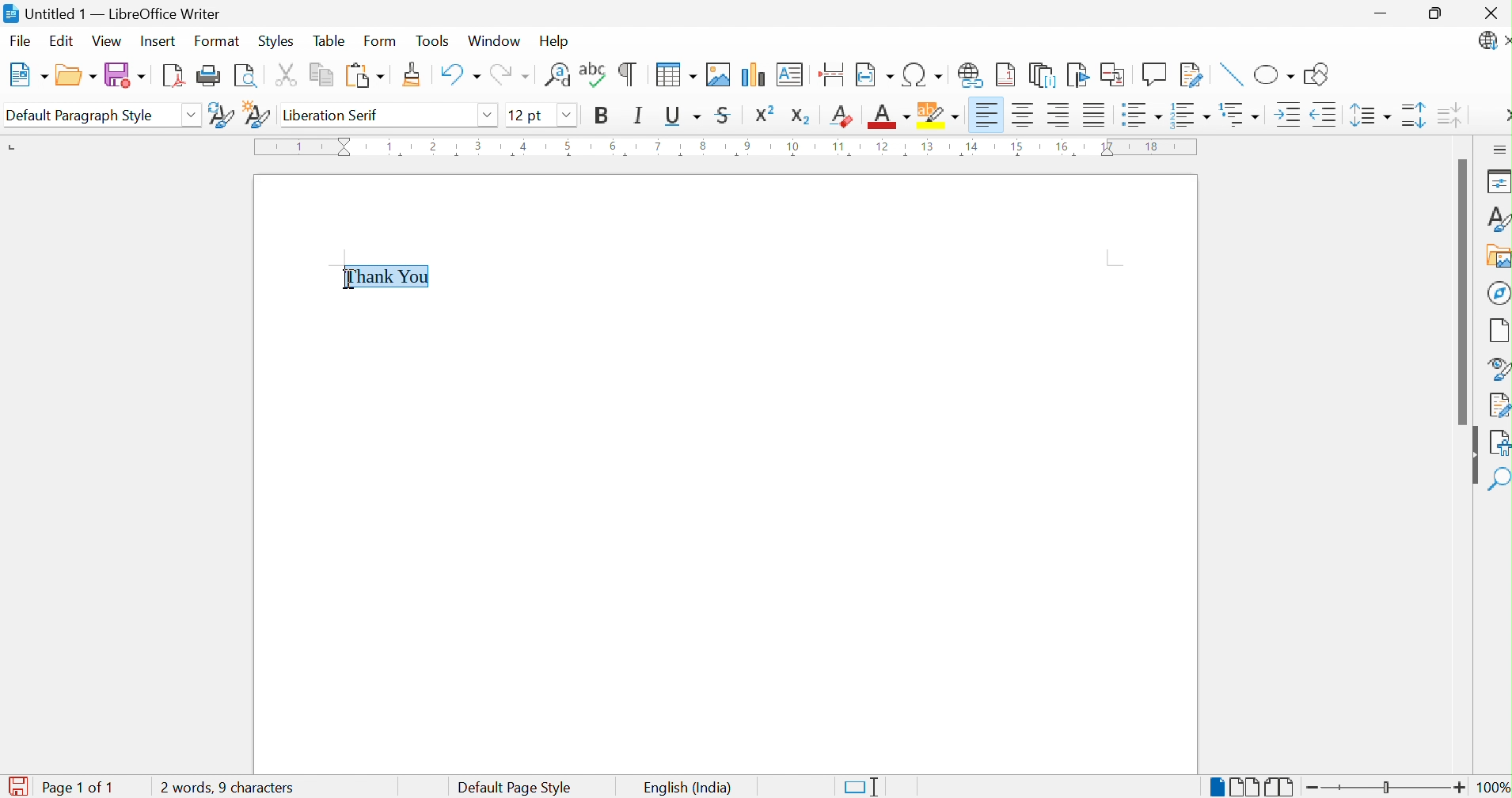  I want to click on Insert Cross-reference, so click(1115, 74).